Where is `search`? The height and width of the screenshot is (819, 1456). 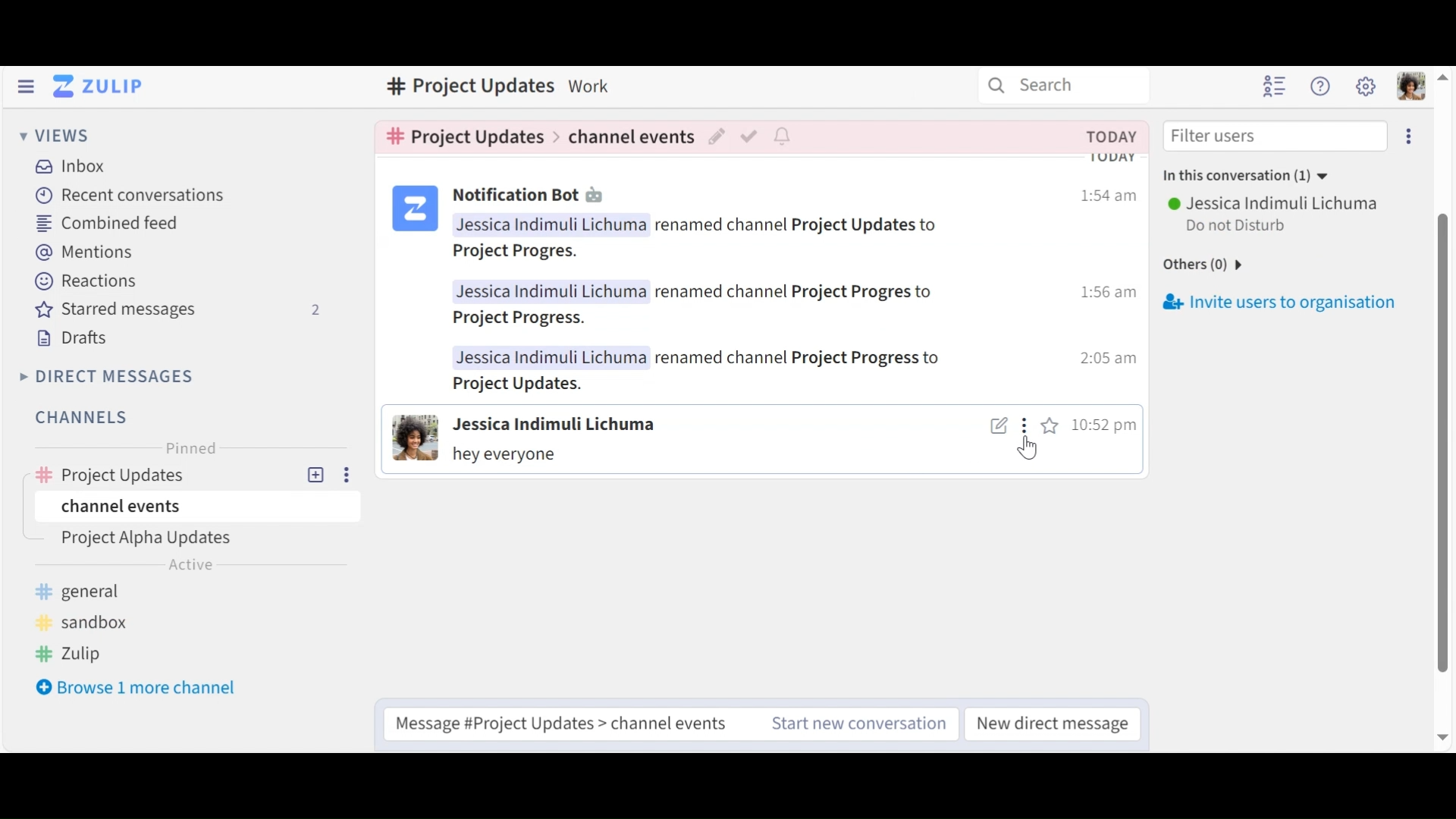
search is located at coordinates (1049, 89).